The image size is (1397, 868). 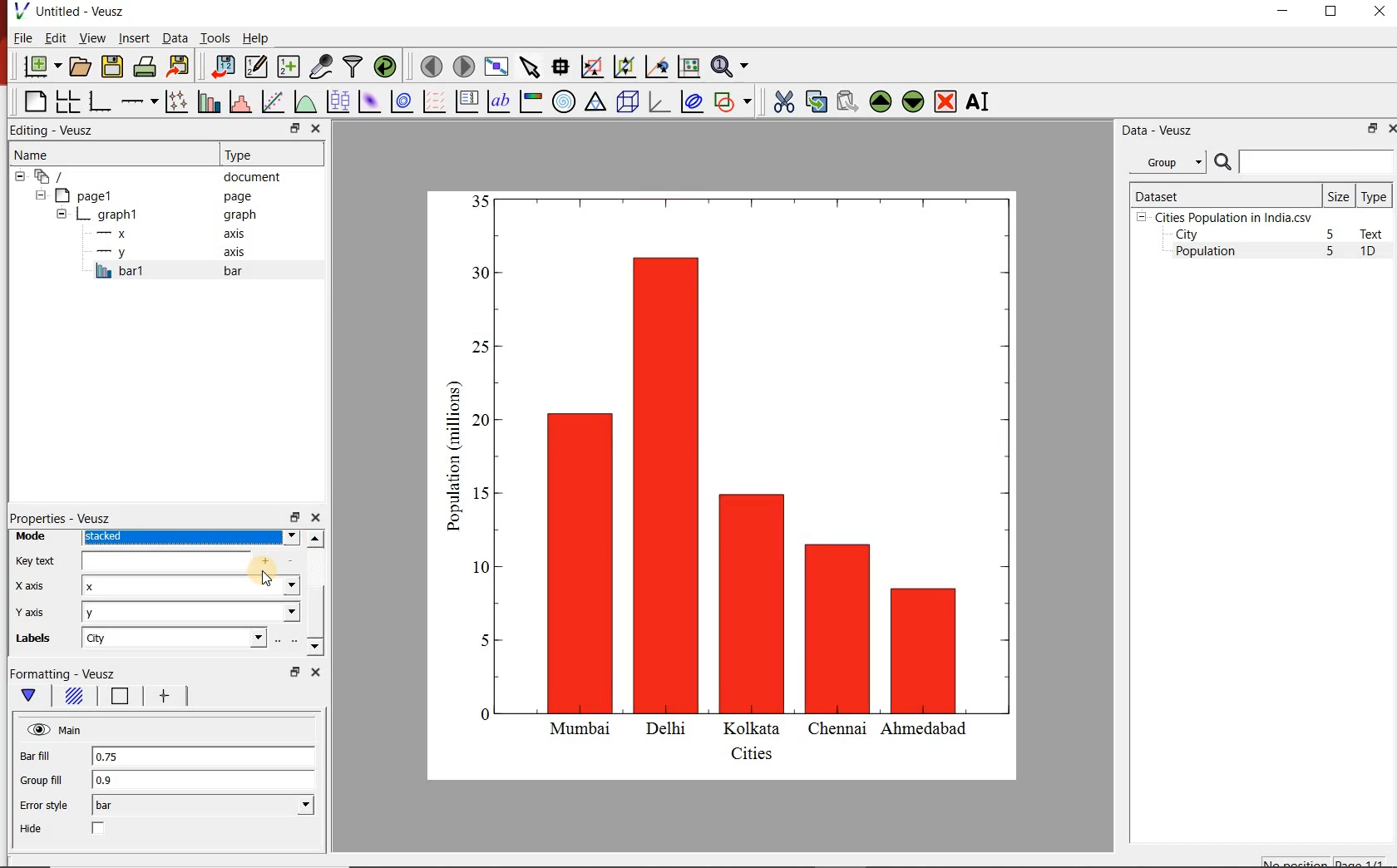 What do you see at coordinates (1375, 253) in the screenshot?
I see `1D` at bounding box center [1375, 253].